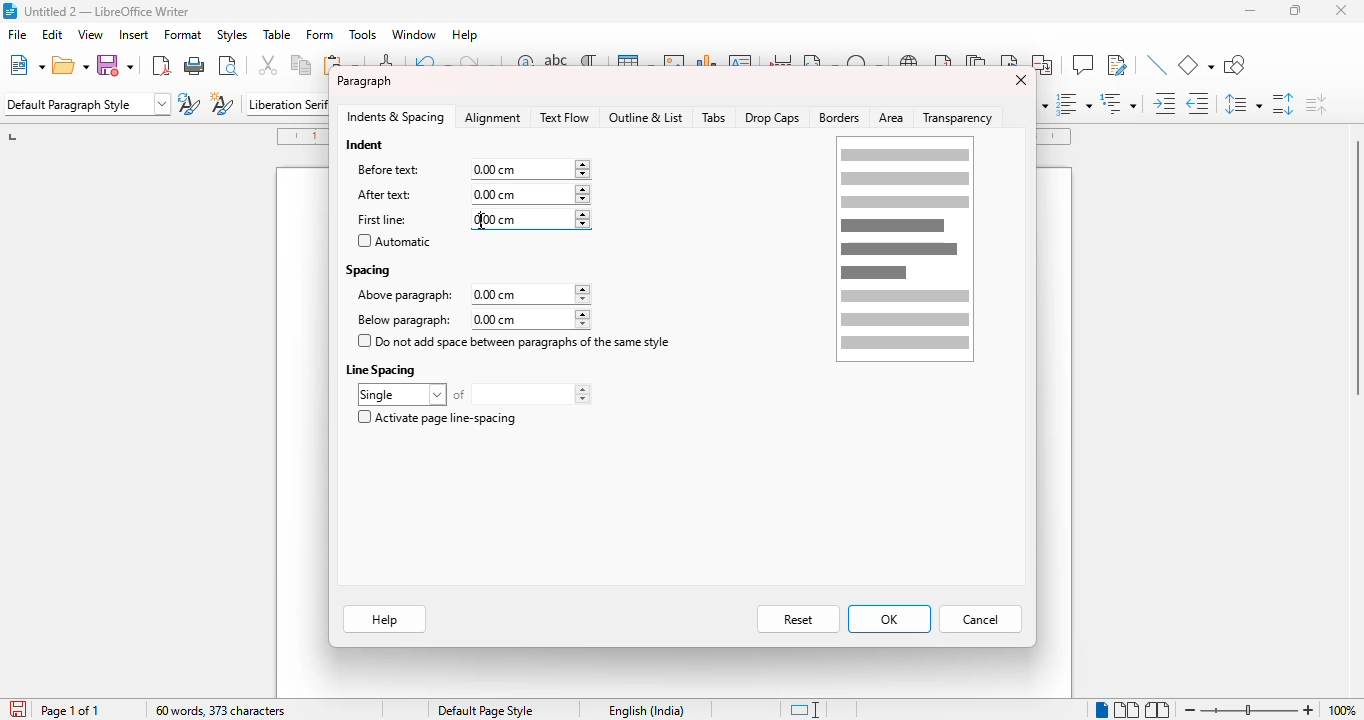  Describe the element at coordinates (486, 710) in the screenshot. I see `page style` at that location.